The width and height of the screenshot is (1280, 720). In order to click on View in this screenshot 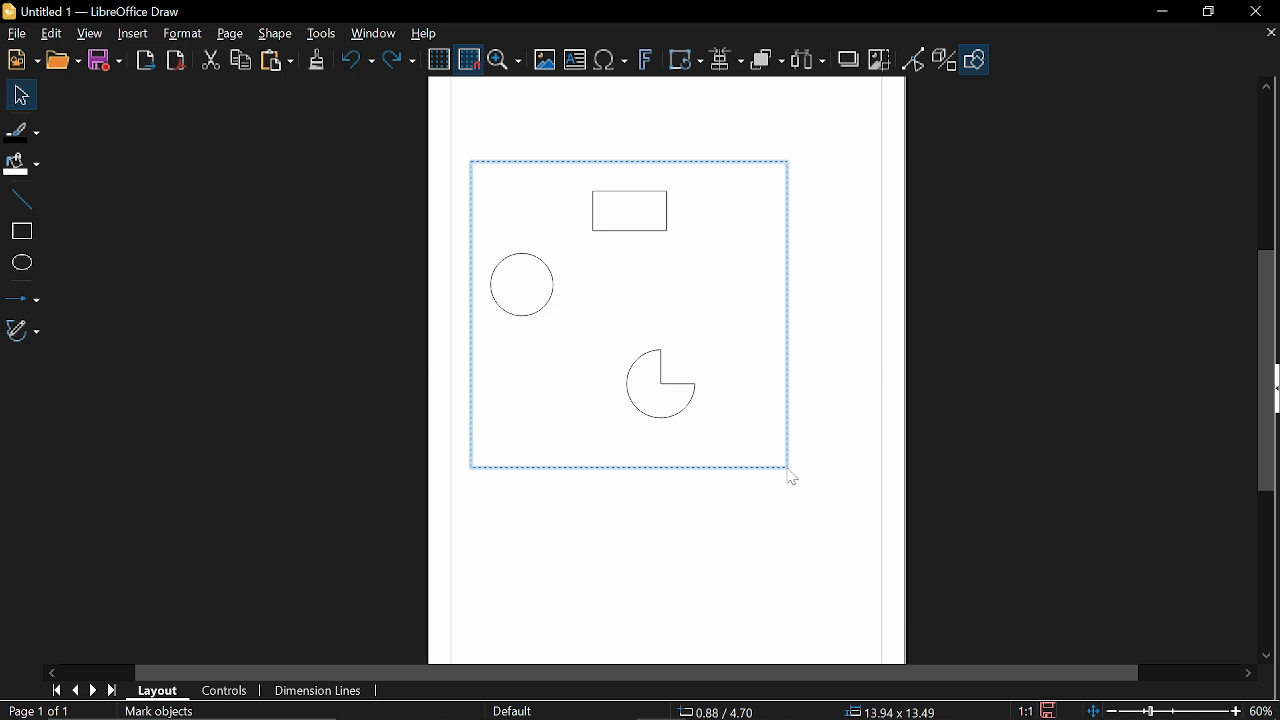, I will do `click(87, 35)`.